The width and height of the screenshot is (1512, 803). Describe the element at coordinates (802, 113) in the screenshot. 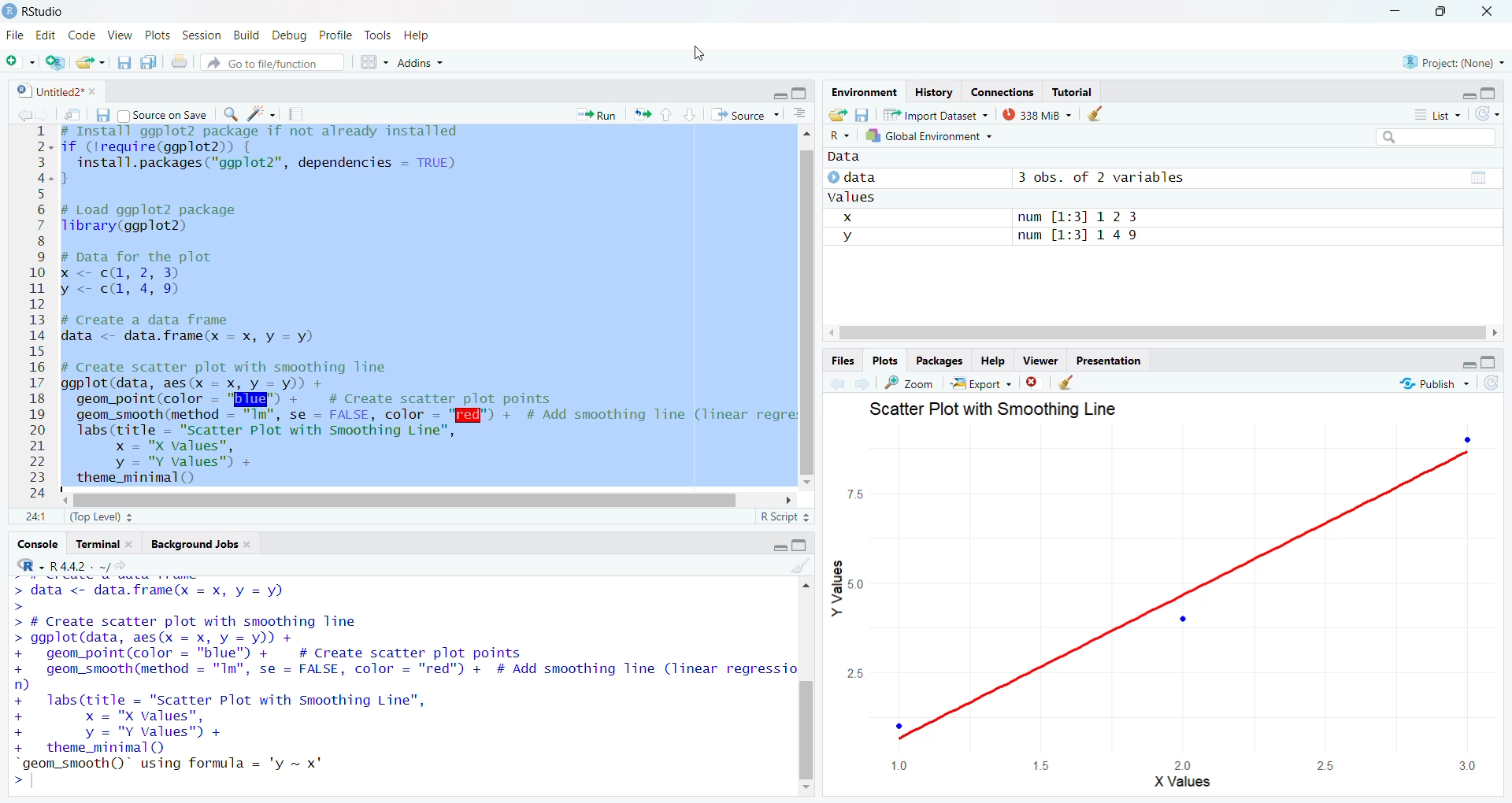

I see `show document outline` at that location.